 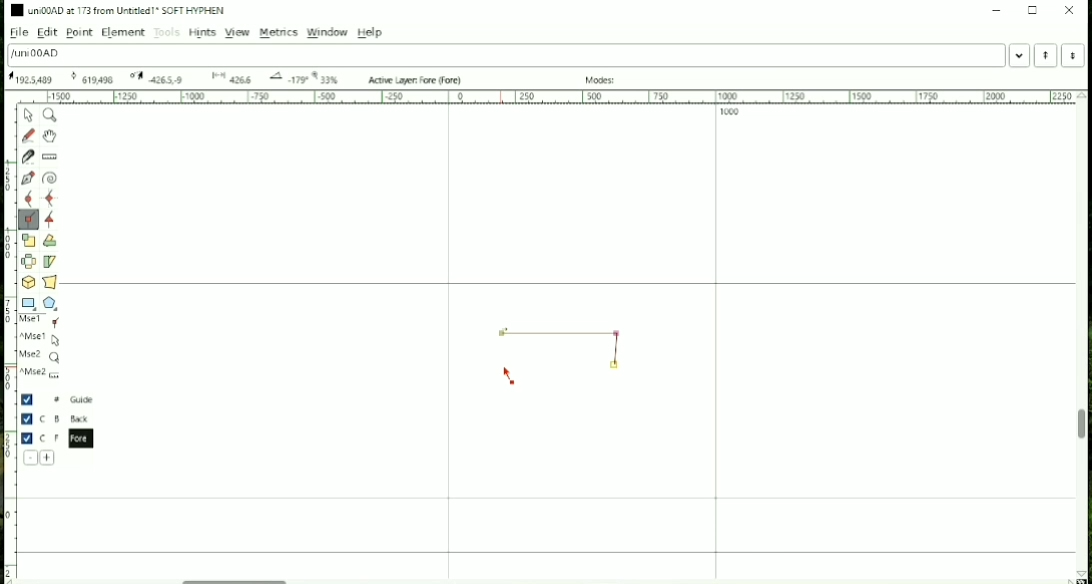 I want to click on Edit, so click(x=49, y=33).